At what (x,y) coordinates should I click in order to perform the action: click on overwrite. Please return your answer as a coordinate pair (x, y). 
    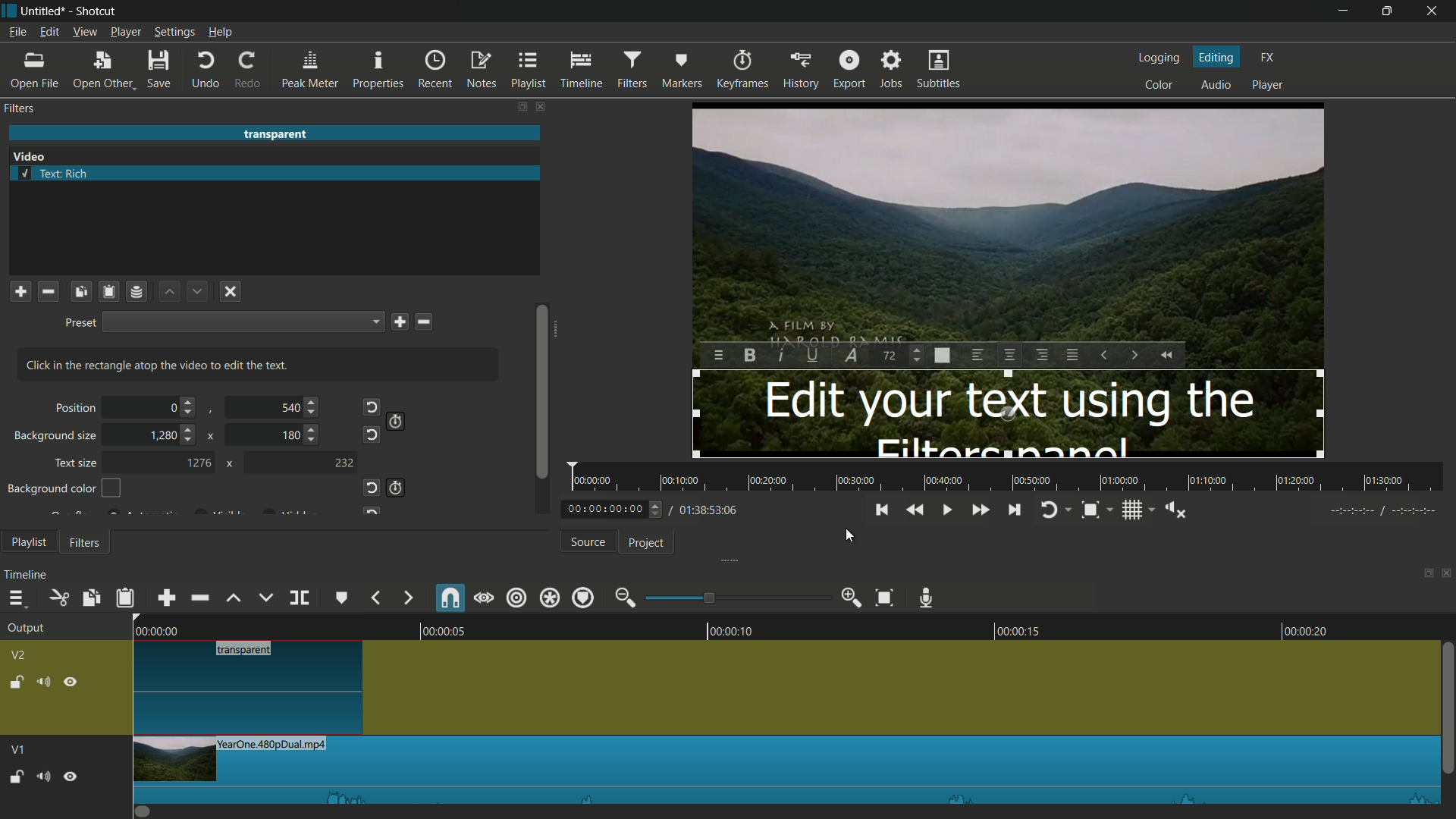
    Looking at the image, I should click on (265, 598).